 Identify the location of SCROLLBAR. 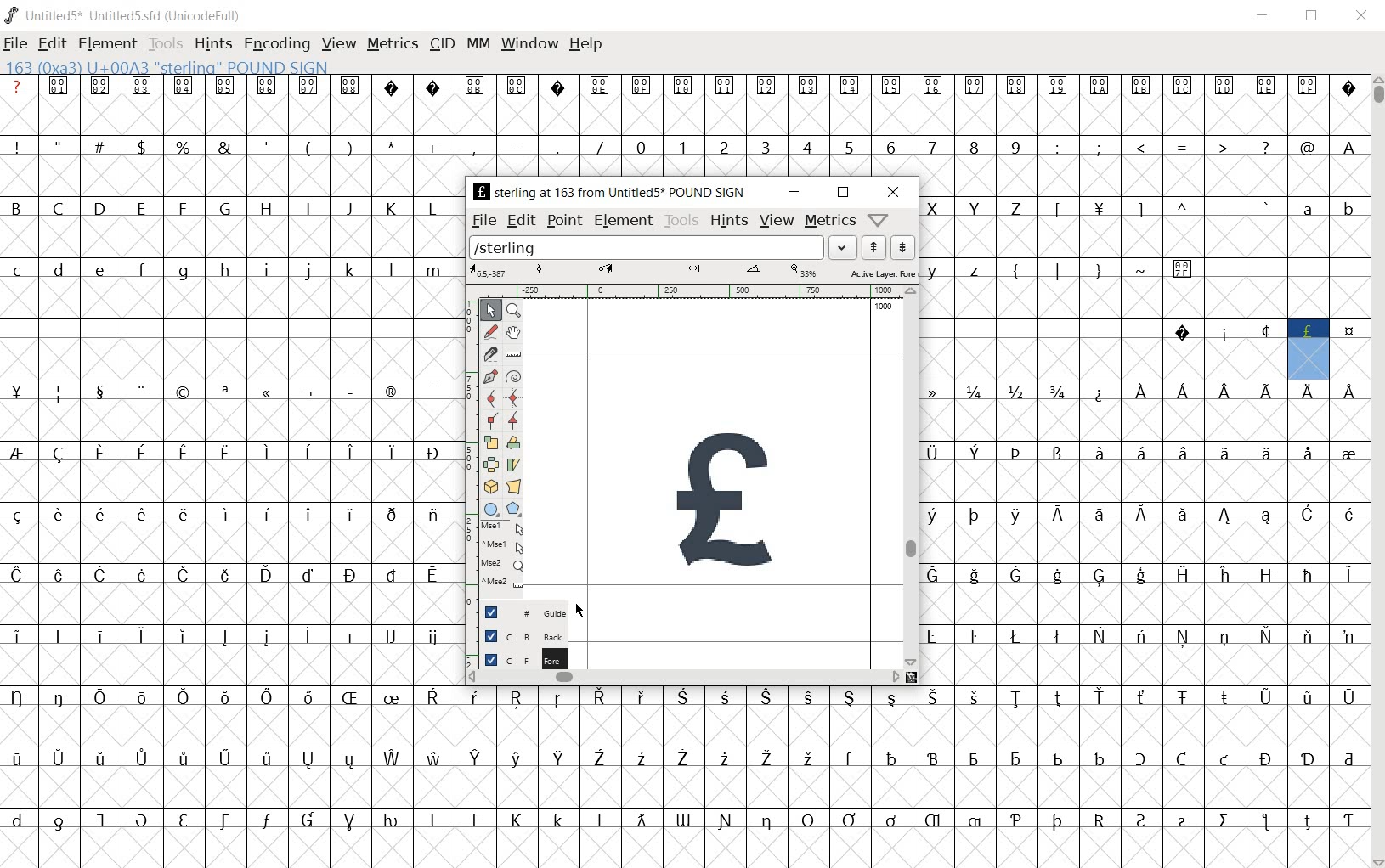
(1377, 471).